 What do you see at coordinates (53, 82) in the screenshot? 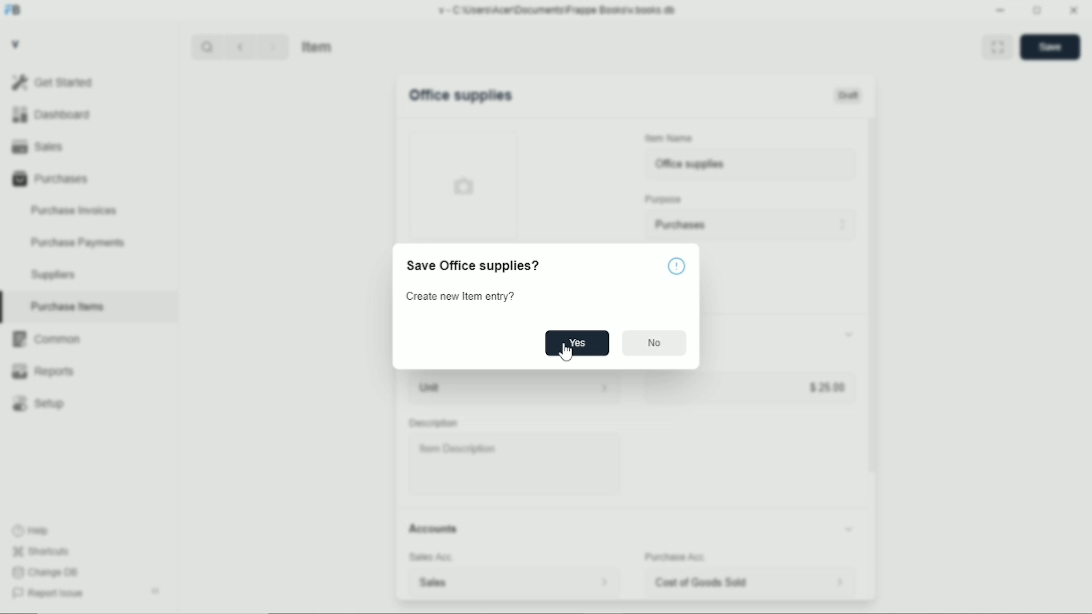
I see `get started` at bounding box center [53, 82].